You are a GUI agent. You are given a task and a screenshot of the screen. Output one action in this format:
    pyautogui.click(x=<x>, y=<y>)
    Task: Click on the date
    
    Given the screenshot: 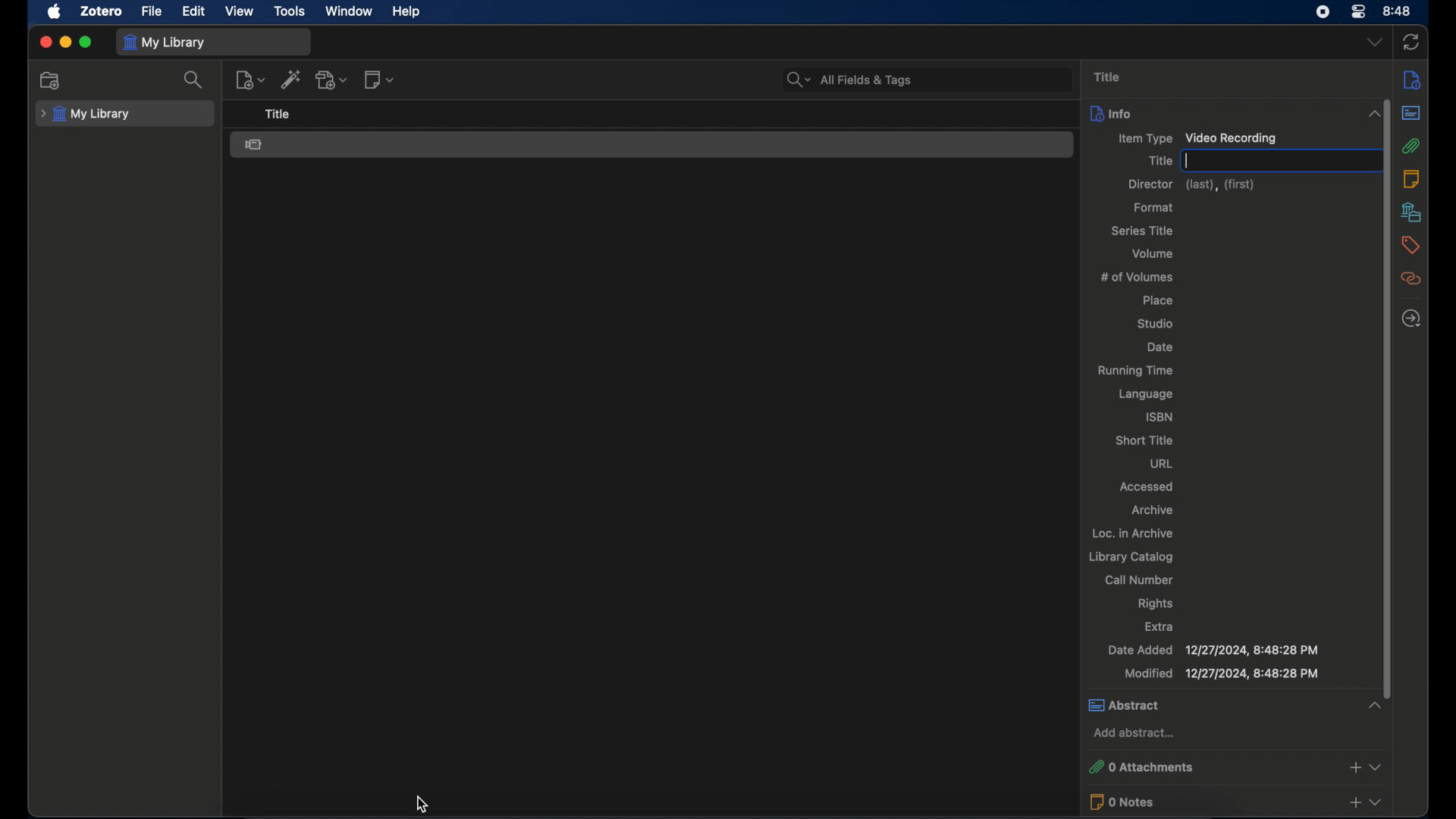 What is the action you would take?
    pyautogui.click(x=1159, y=347)
    